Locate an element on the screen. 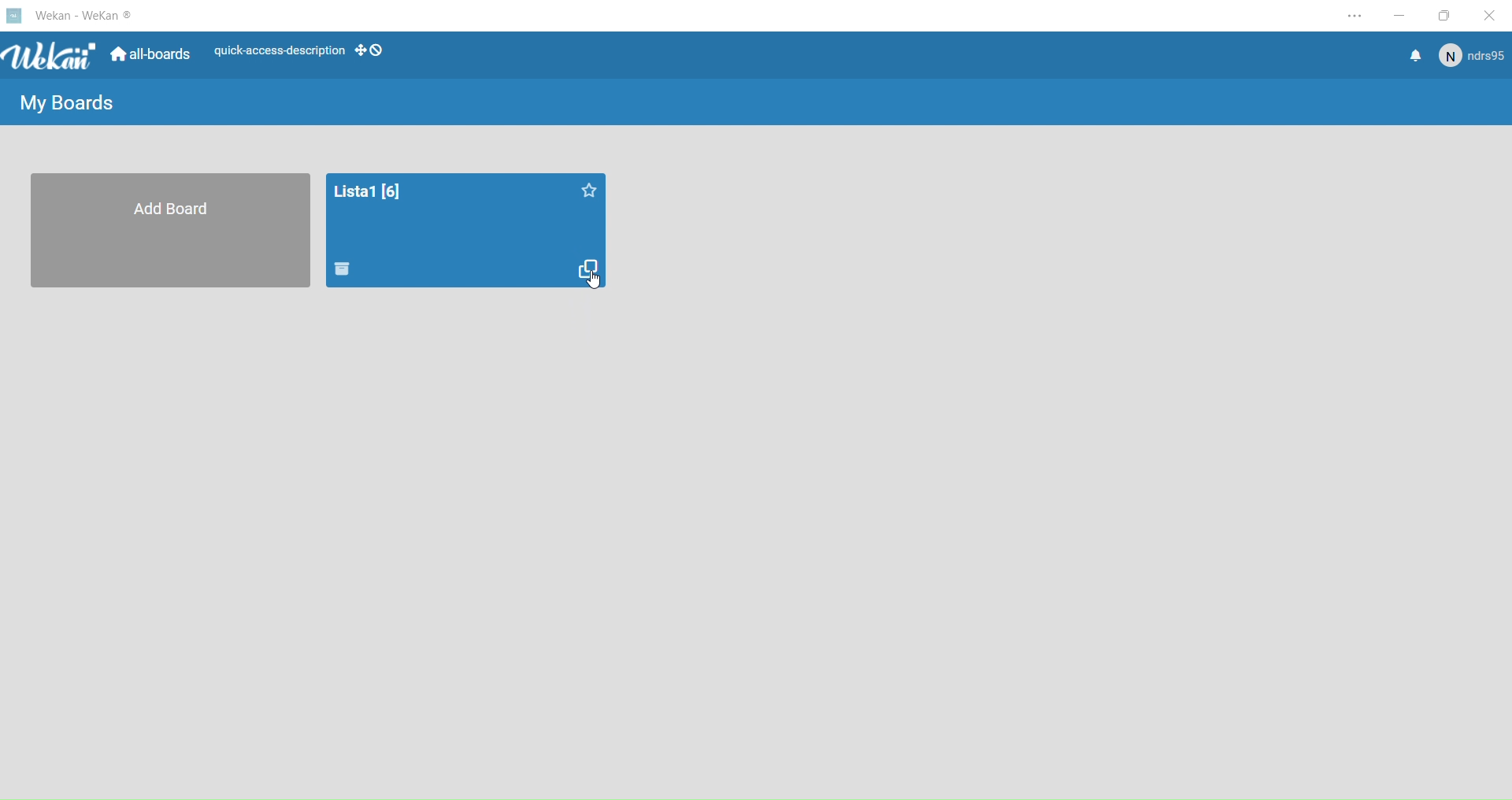 This screenshot has width=1512, height=800. Add a board is located at coordinates (172, 230).